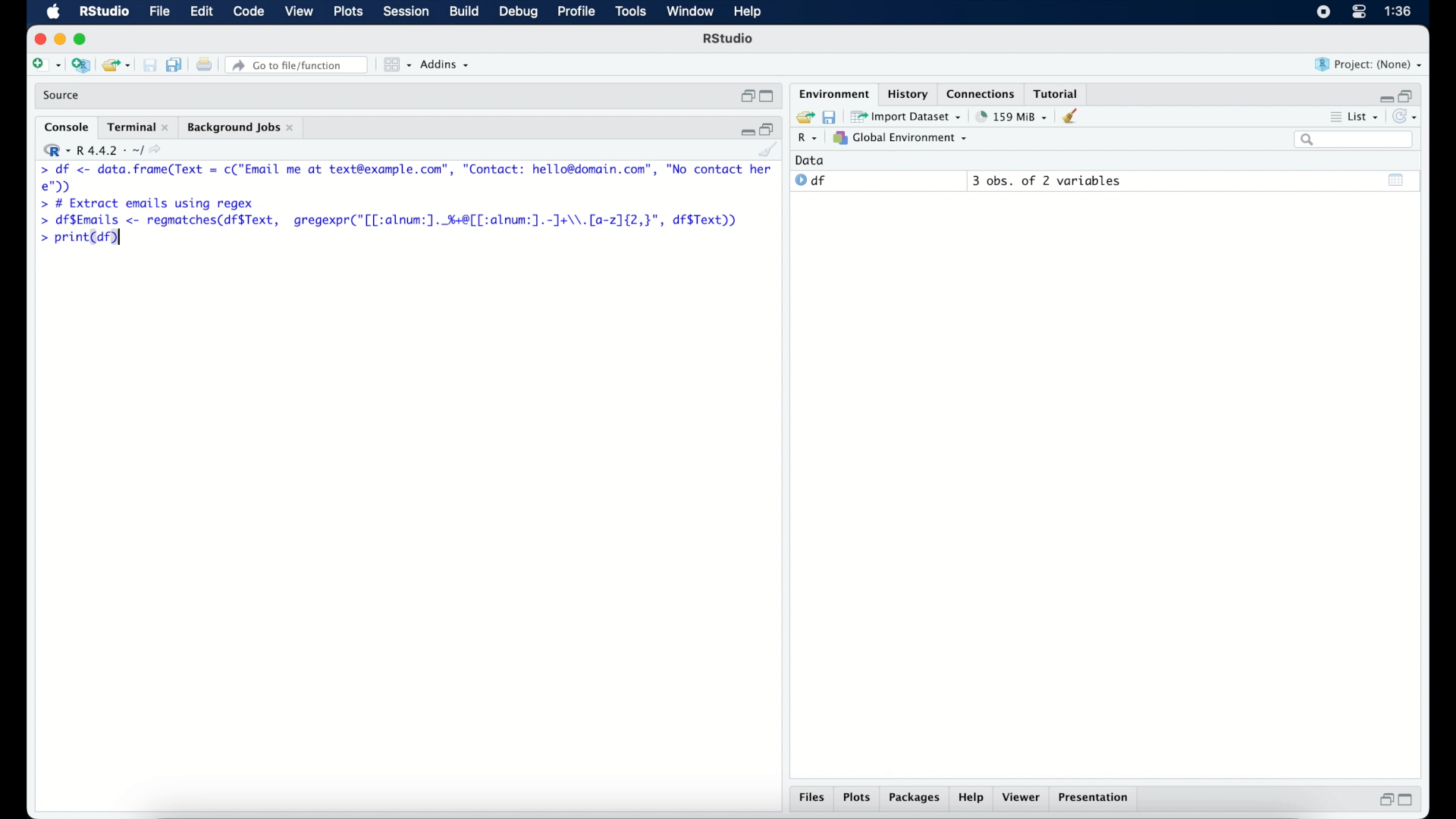 This screenshot has width=1456, height=819. I want to click on connections, so click(983, 93).